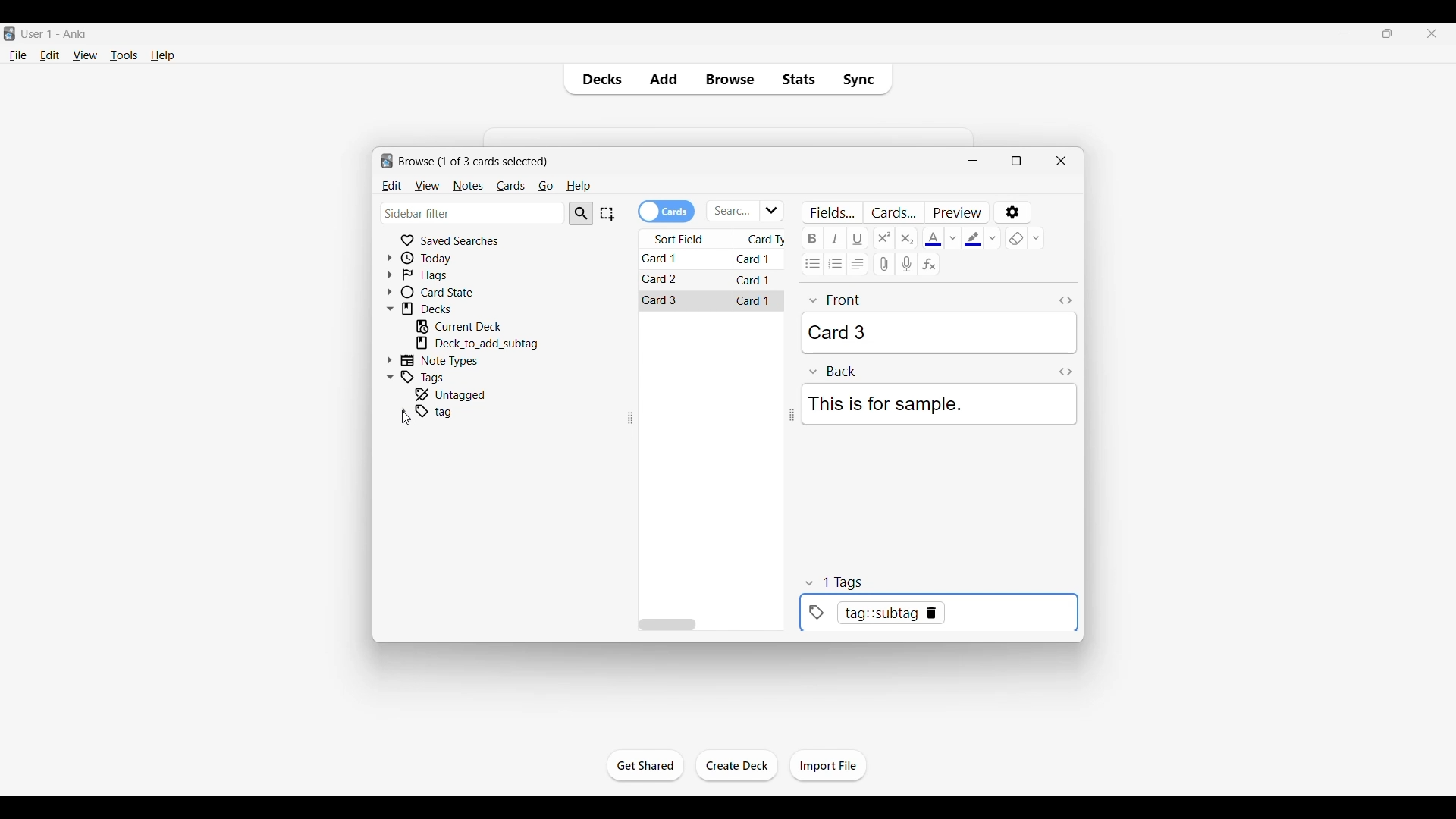 The width and height of the screenshot is (1456, 819). I want to click on Card type column, so click(763, 237).